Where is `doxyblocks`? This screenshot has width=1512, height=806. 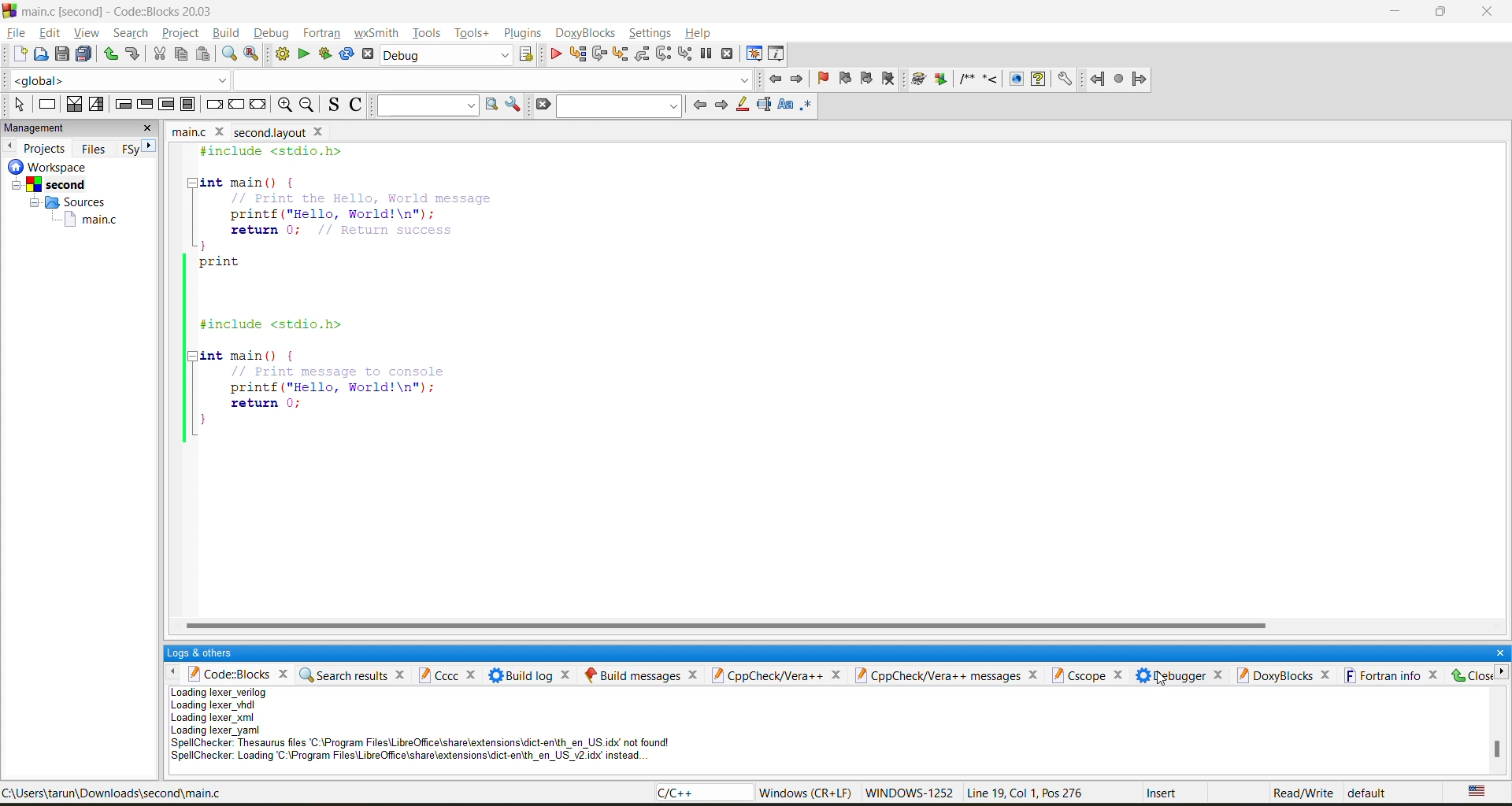 doxyblocks is located at coordinates (586, 31).